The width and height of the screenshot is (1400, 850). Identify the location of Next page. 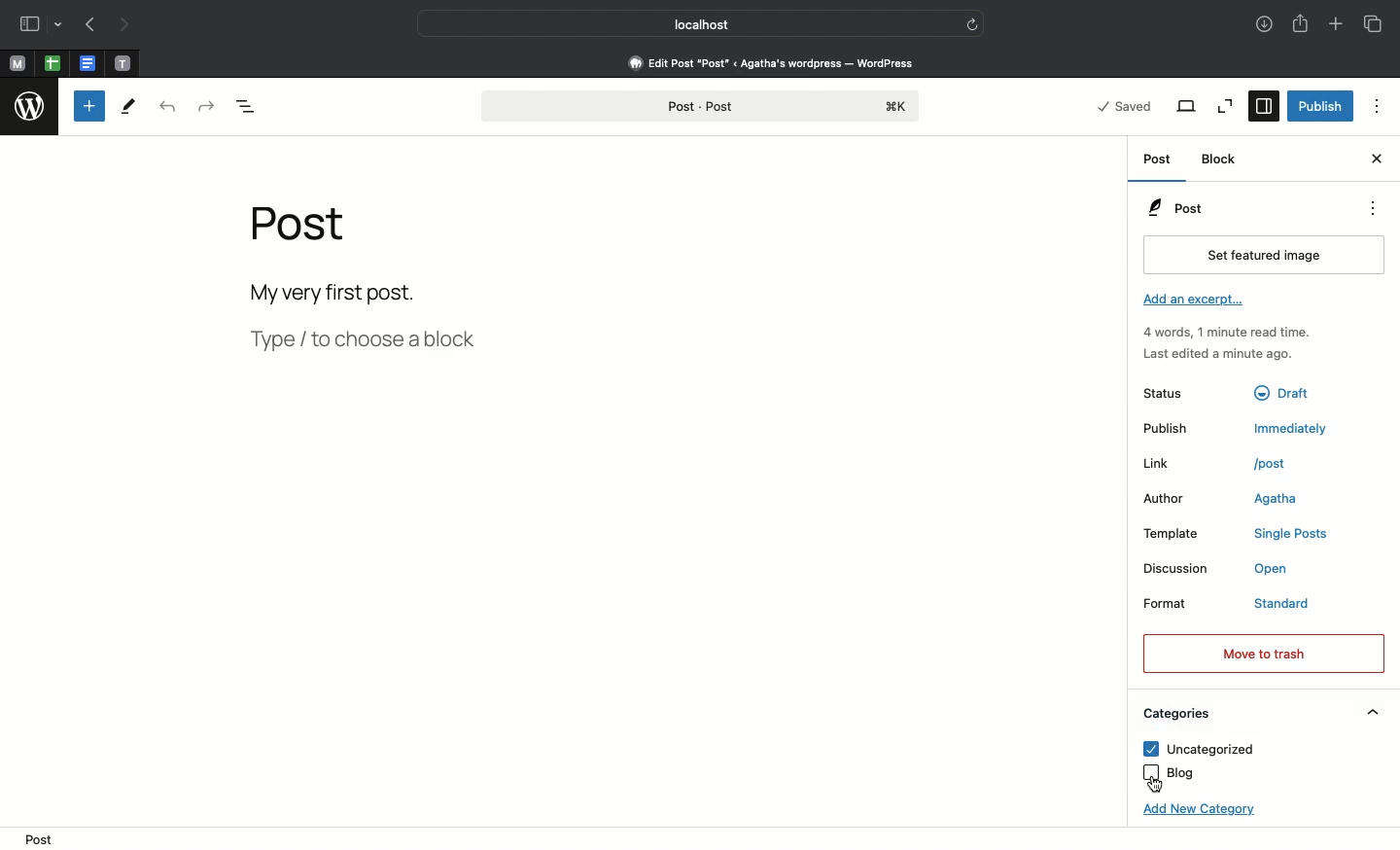
(130, 25).